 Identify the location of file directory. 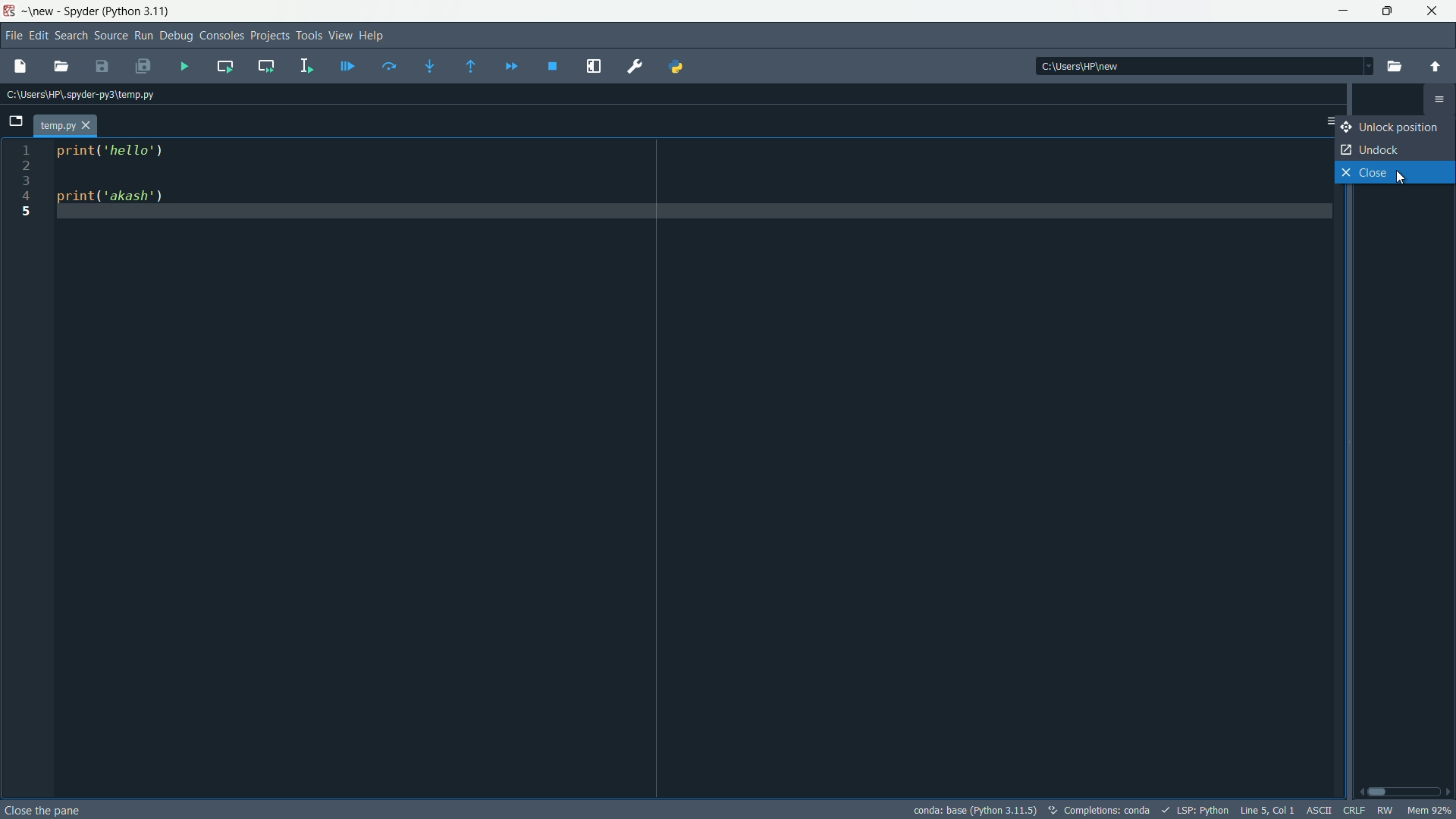
(86, 94).